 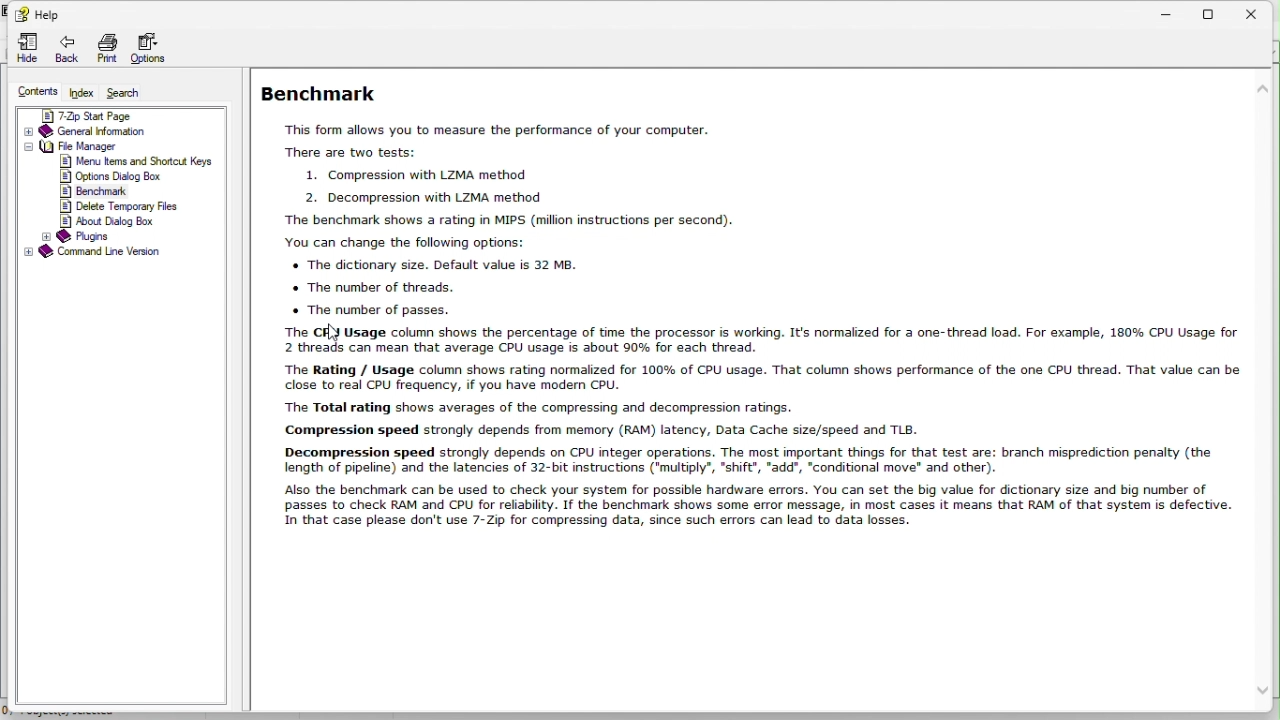 What do you see at coordinates (144, 191) in the screenshot?
I see `file Manager sub menus` at bounding box center [144, 191].